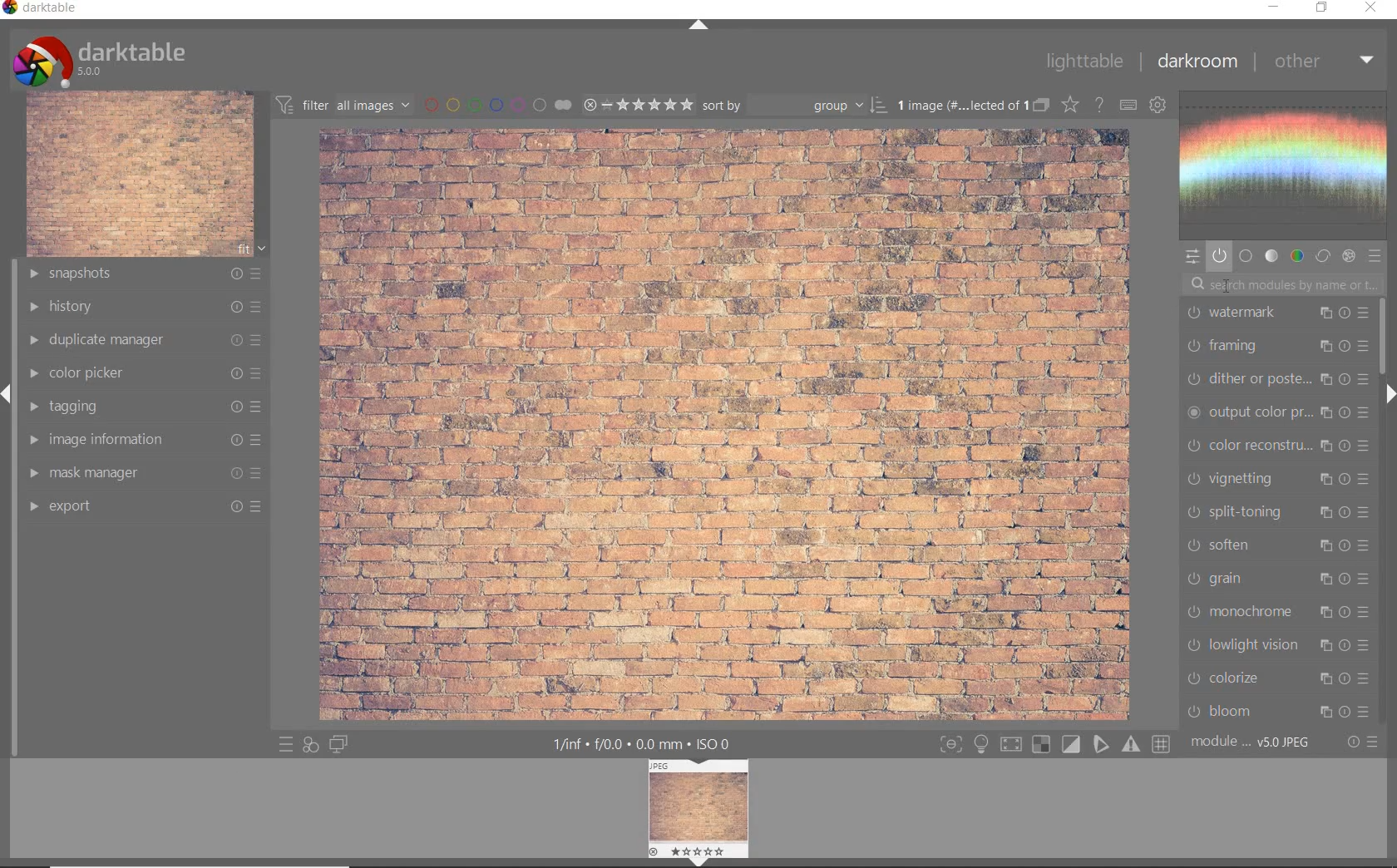 Image resolution: width=1397 pixels, height=868 pixels. What do you see at coordinates (794, 106) in the screenshot?
I see `sort by group` at bounding box center [794, 106].